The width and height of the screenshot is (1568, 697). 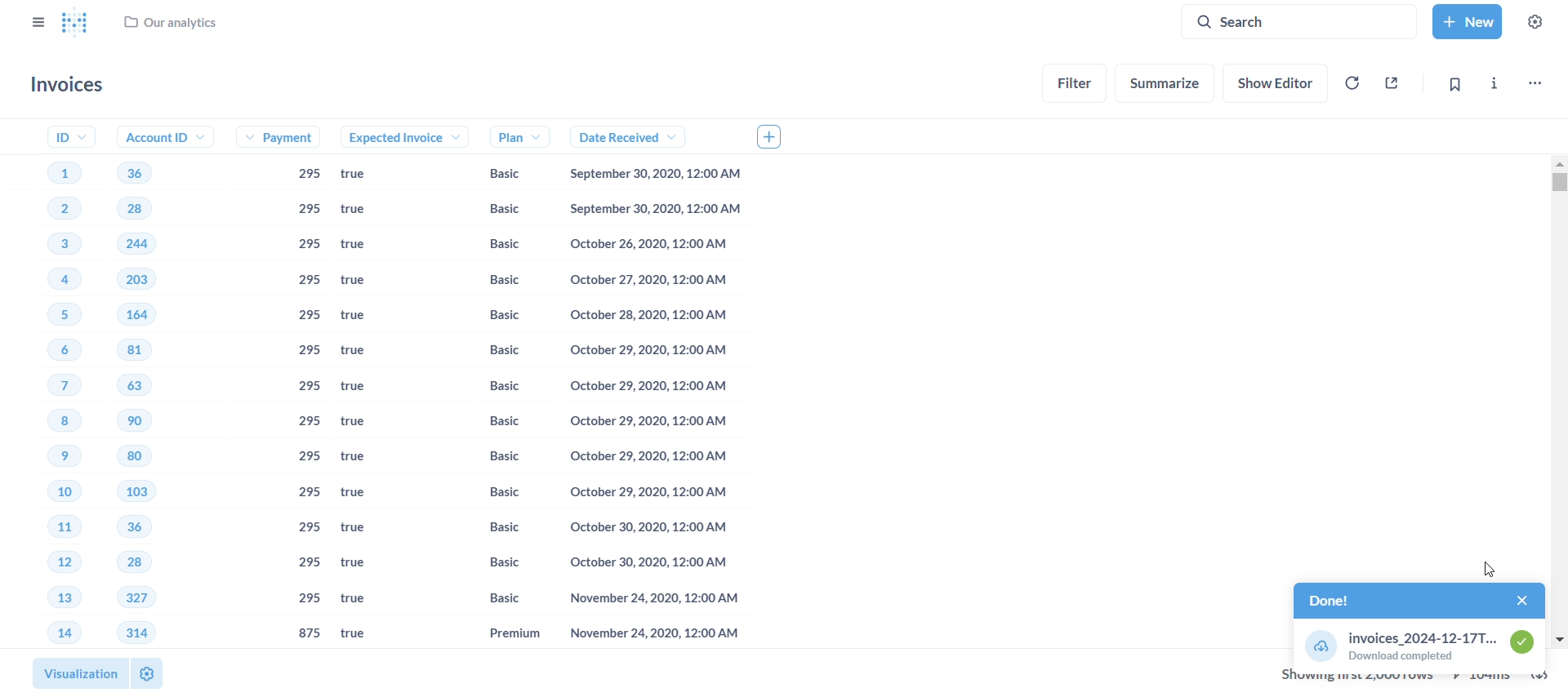 I want to click on Basic, so click(x=493, y=315).